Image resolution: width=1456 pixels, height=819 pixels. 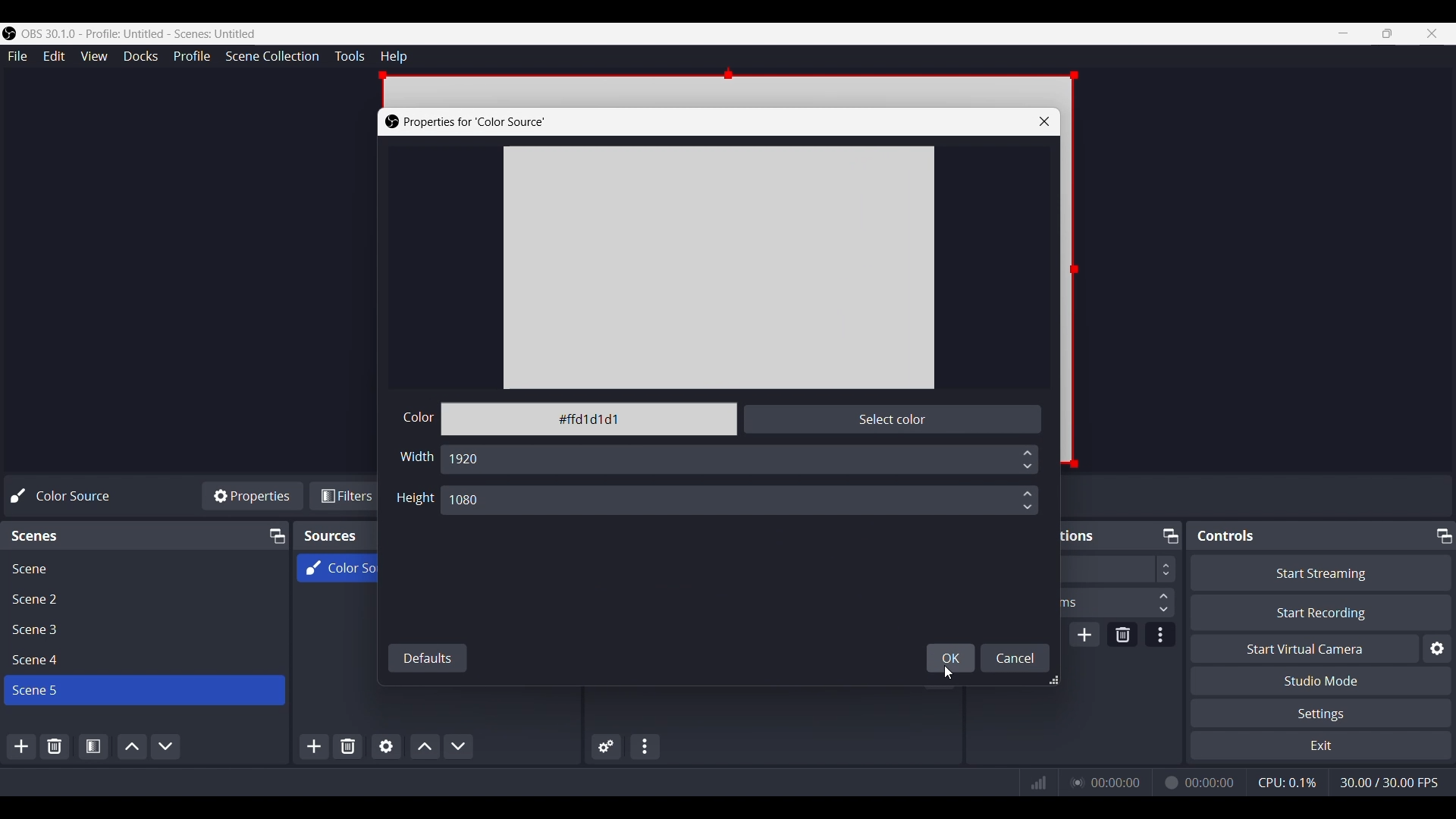 I want to click on 00:00:00, so click(x=1211, y=783).